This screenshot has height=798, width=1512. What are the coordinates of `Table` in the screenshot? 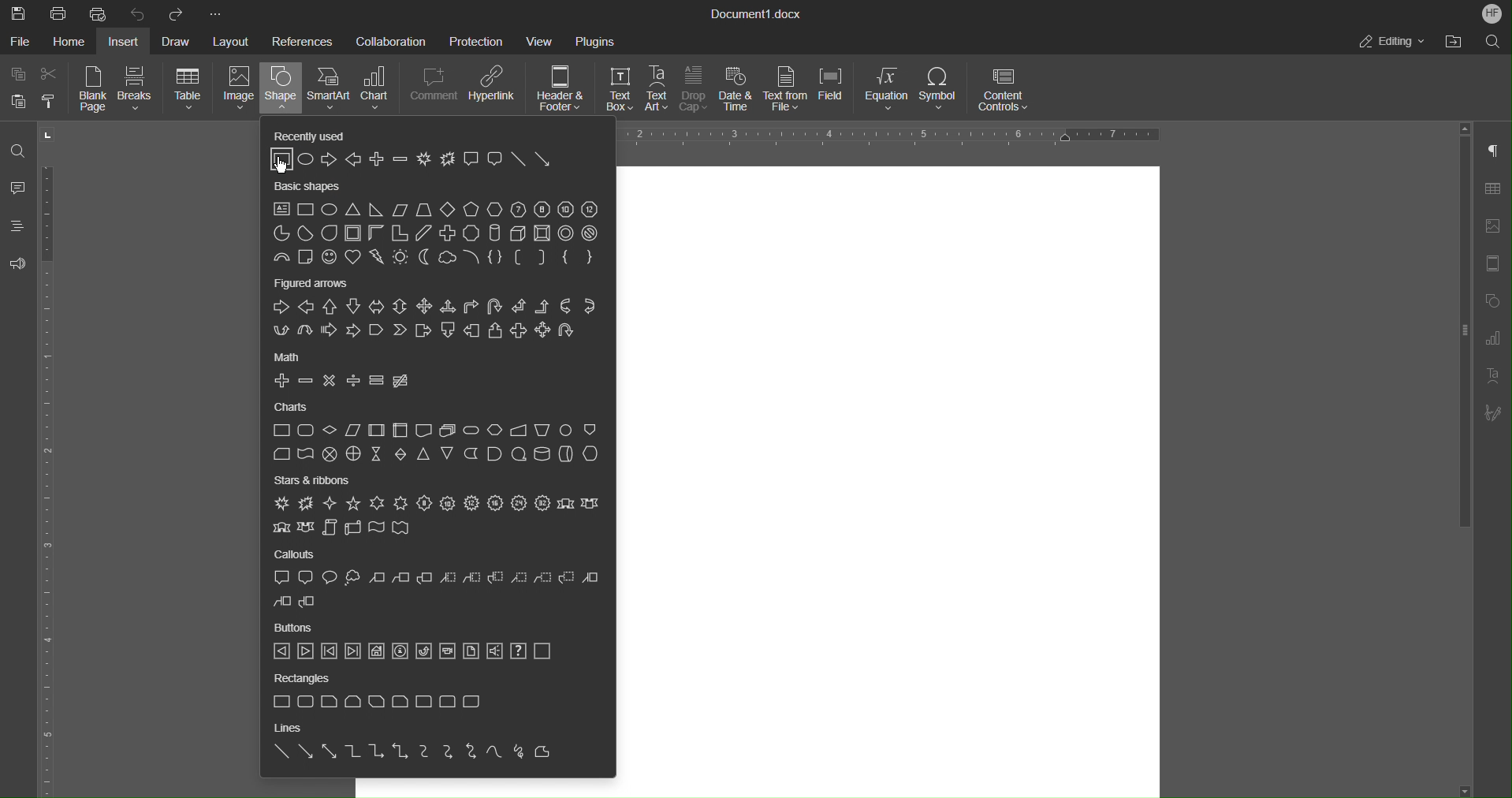 It's located at (188, 90).